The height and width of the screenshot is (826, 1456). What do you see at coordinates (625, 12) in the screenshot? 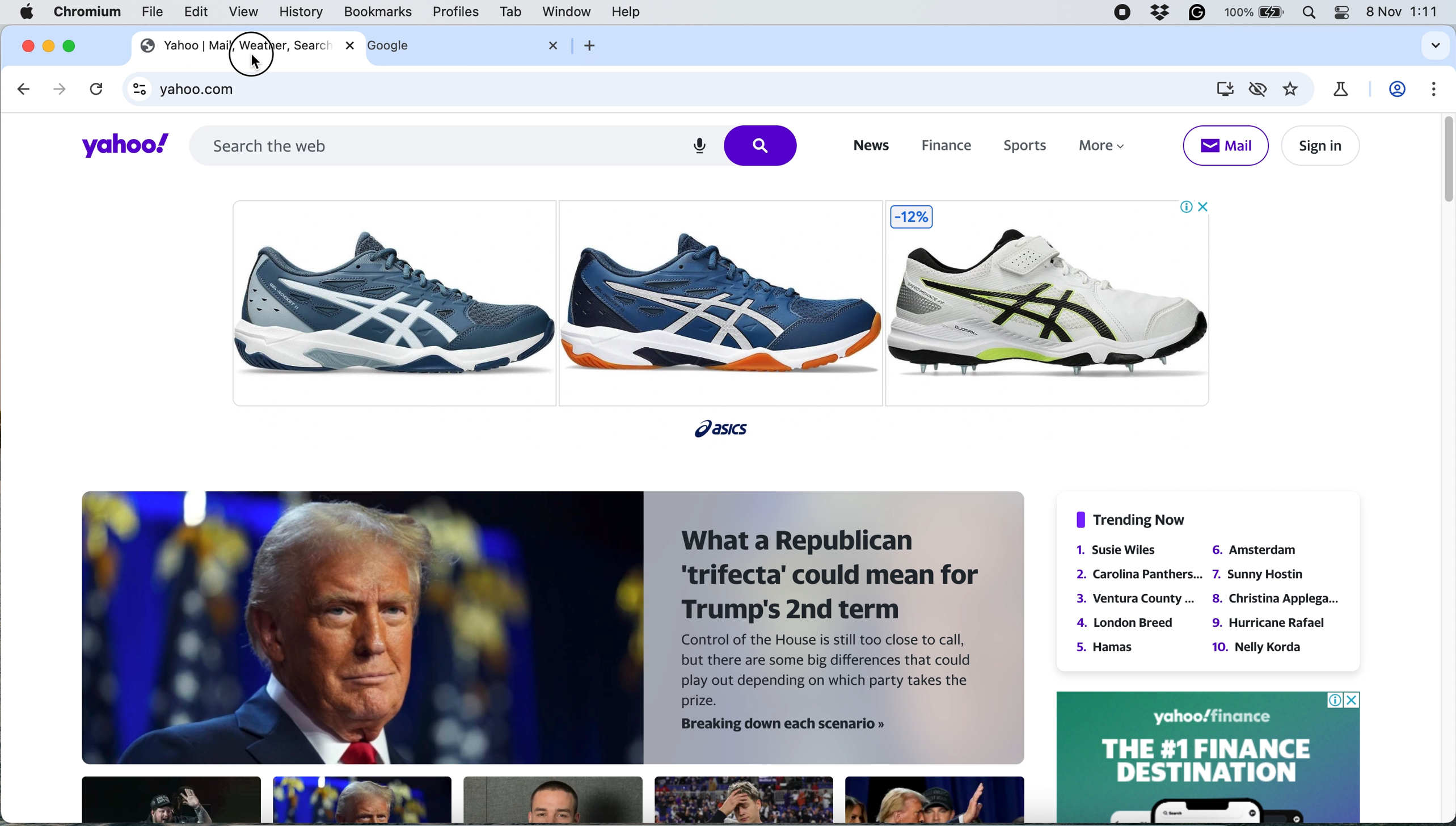
I see `help` at bounding box center [625, 12].